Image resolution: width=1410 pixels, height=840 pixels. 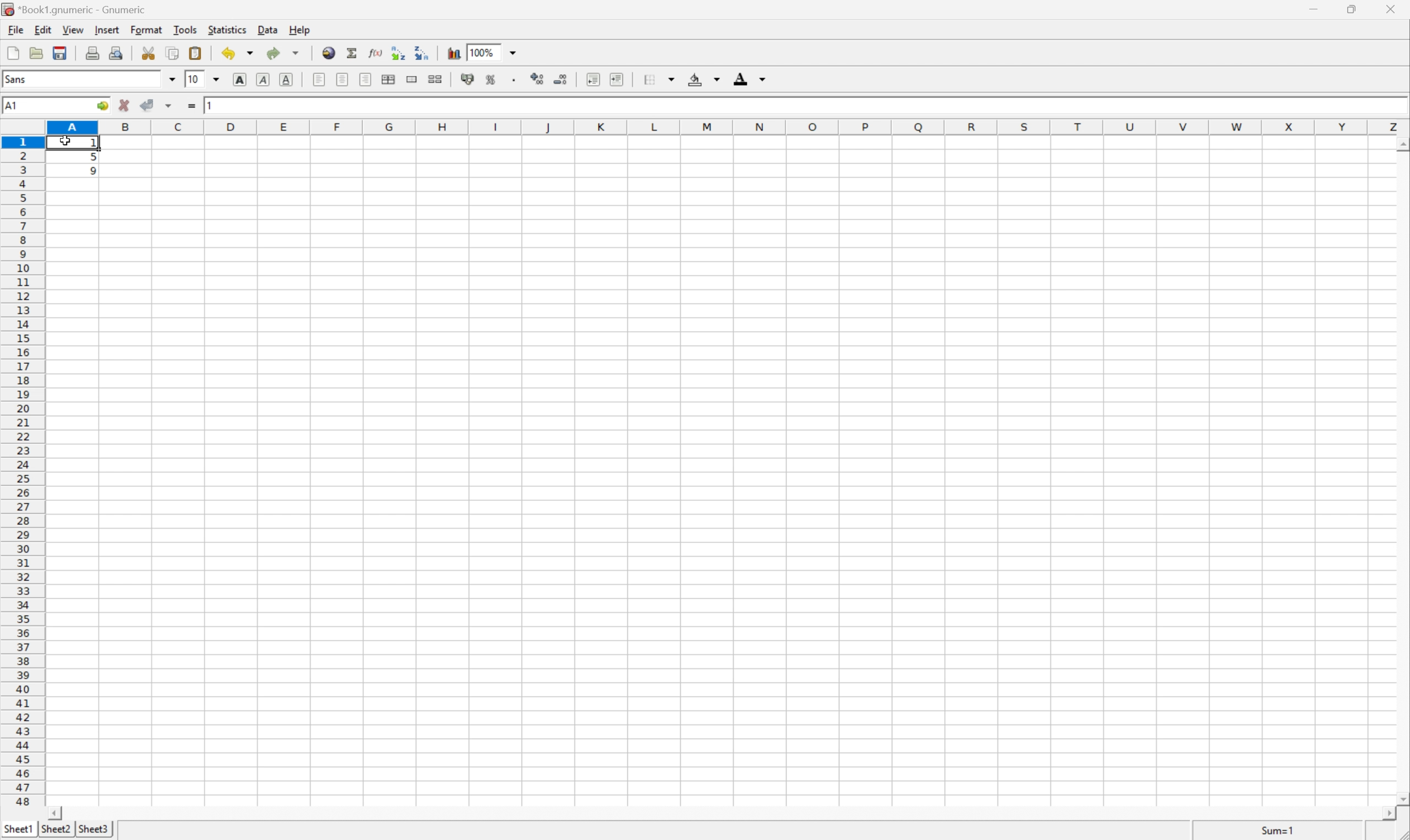 I want to click on data, so click(x=269, y=27).